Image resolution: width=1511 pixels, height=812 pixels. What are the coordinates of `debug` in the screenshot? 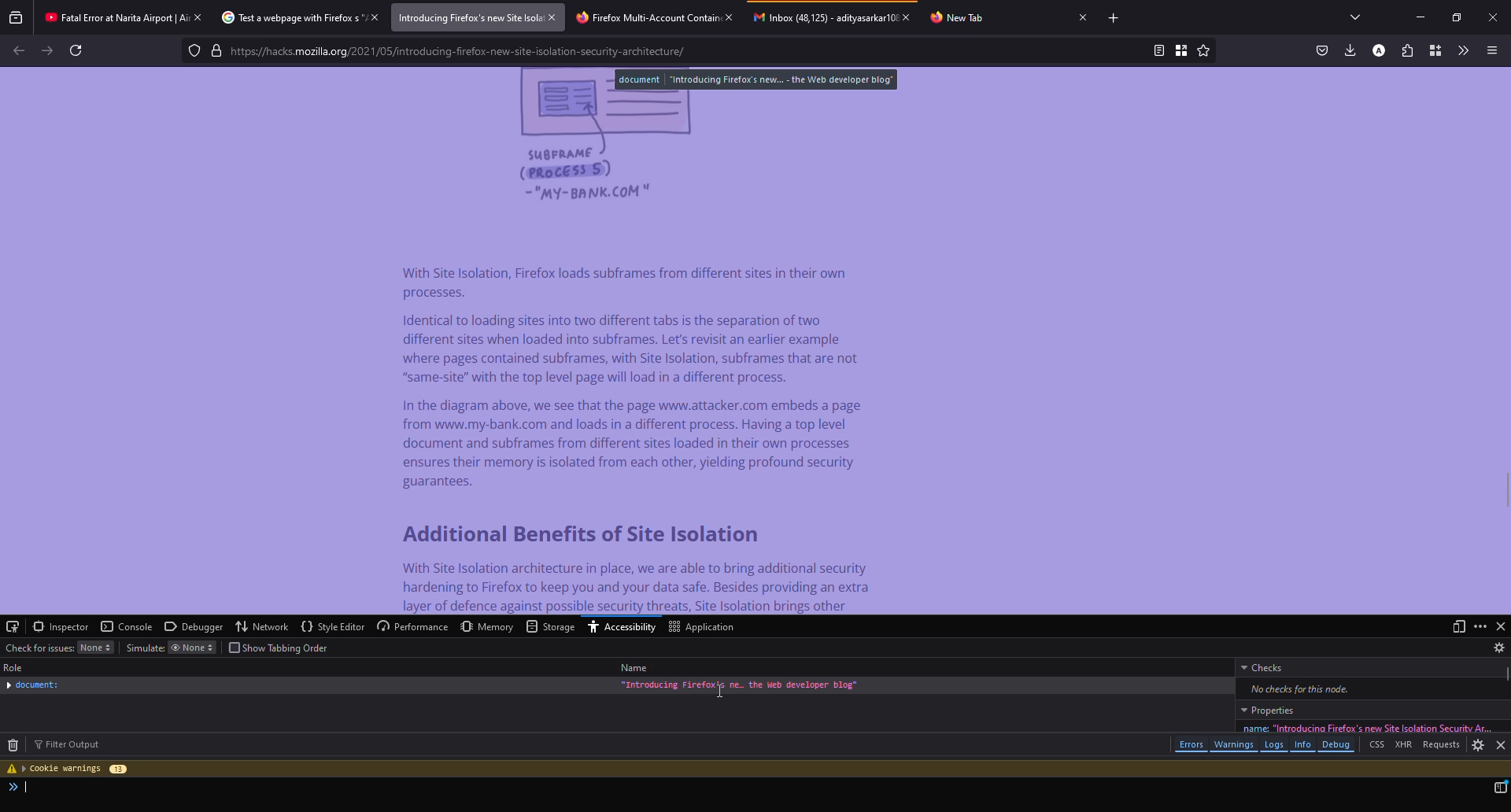 It's located at (1338, 746).